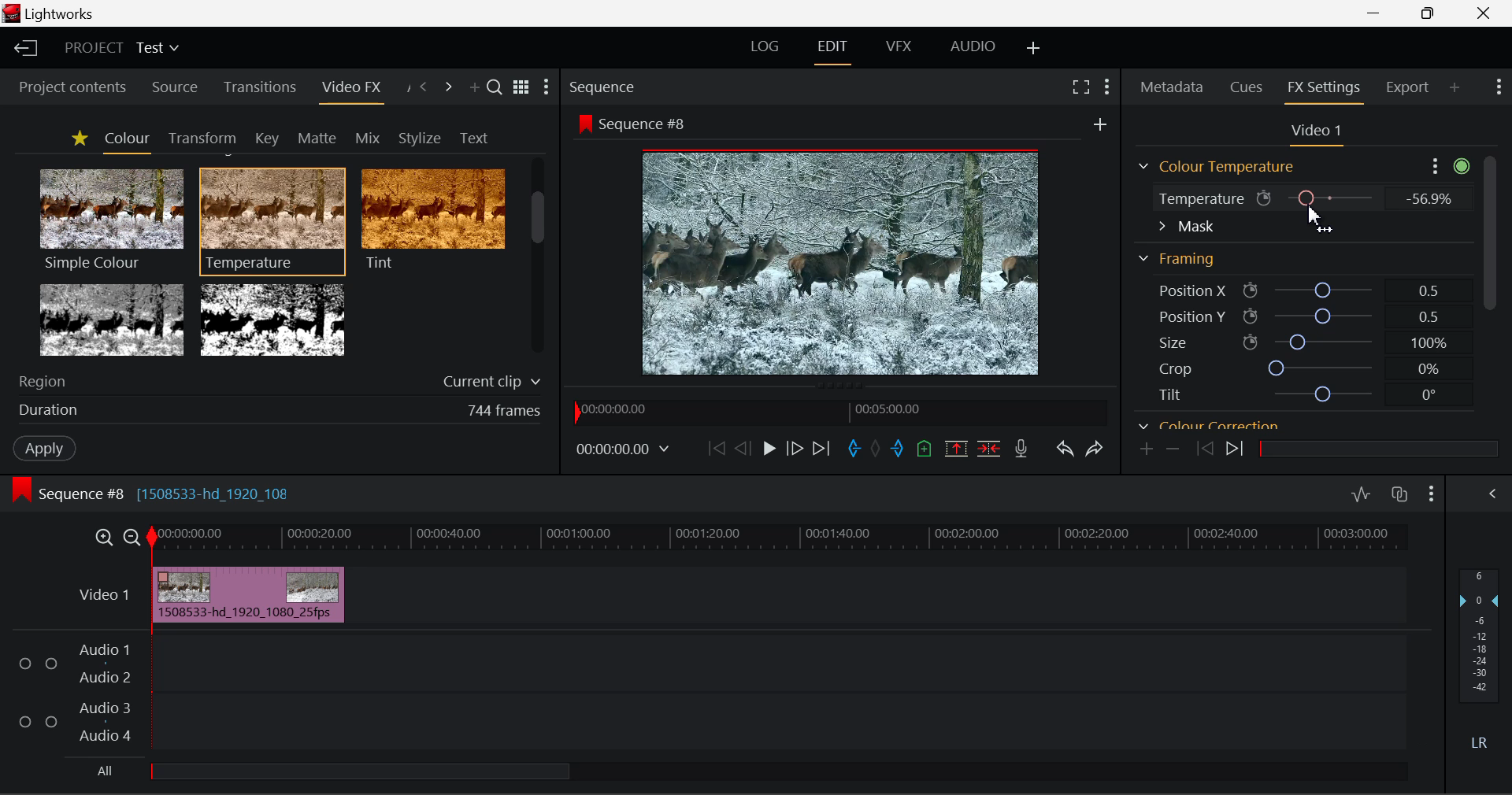  Describe the element at coordinates (925, 450) in the screenshot. I see `Mark Cue` at that location.